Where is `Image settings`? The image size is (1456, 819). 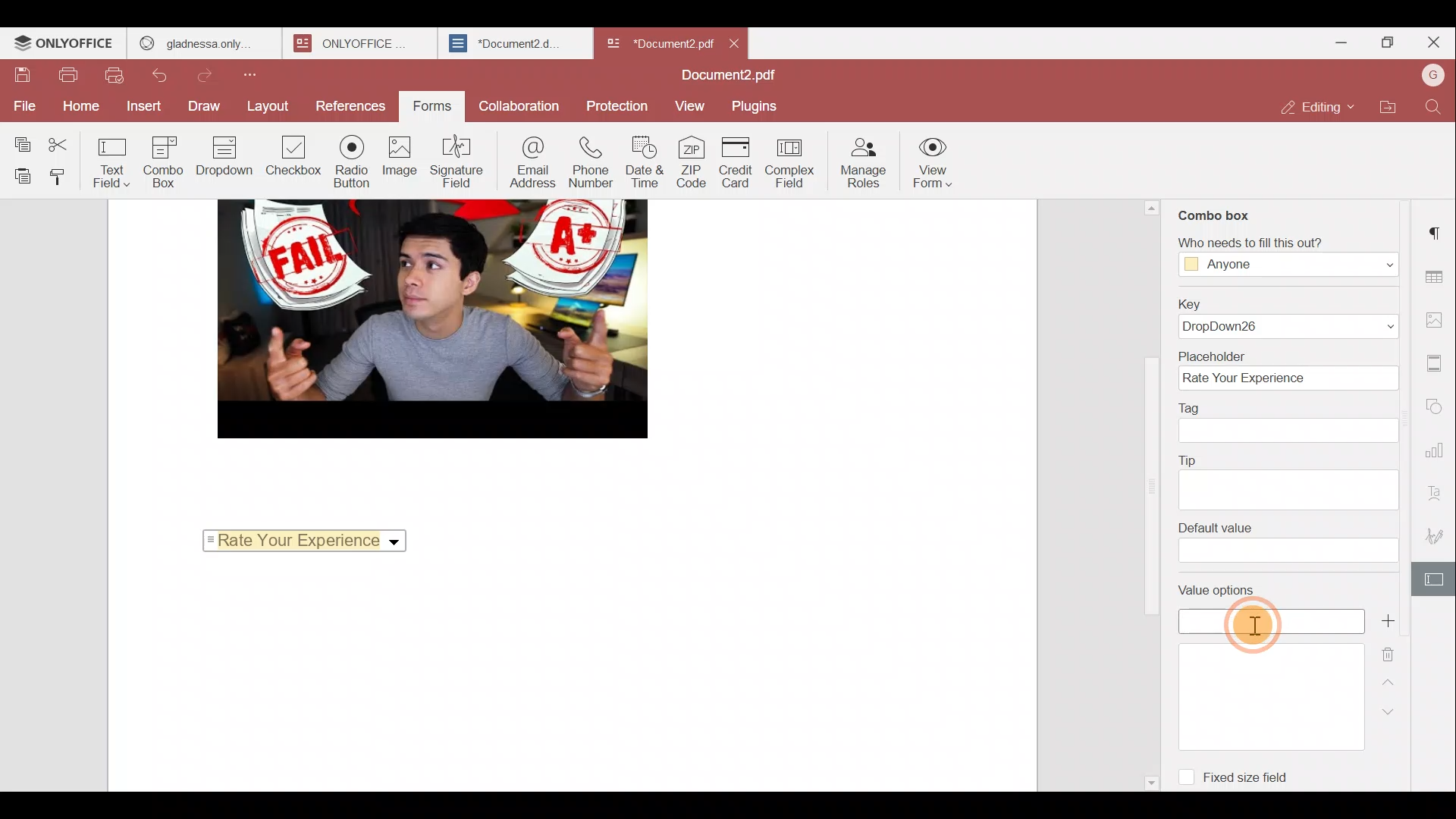
Image settings is located at coordinates (1437, 321).